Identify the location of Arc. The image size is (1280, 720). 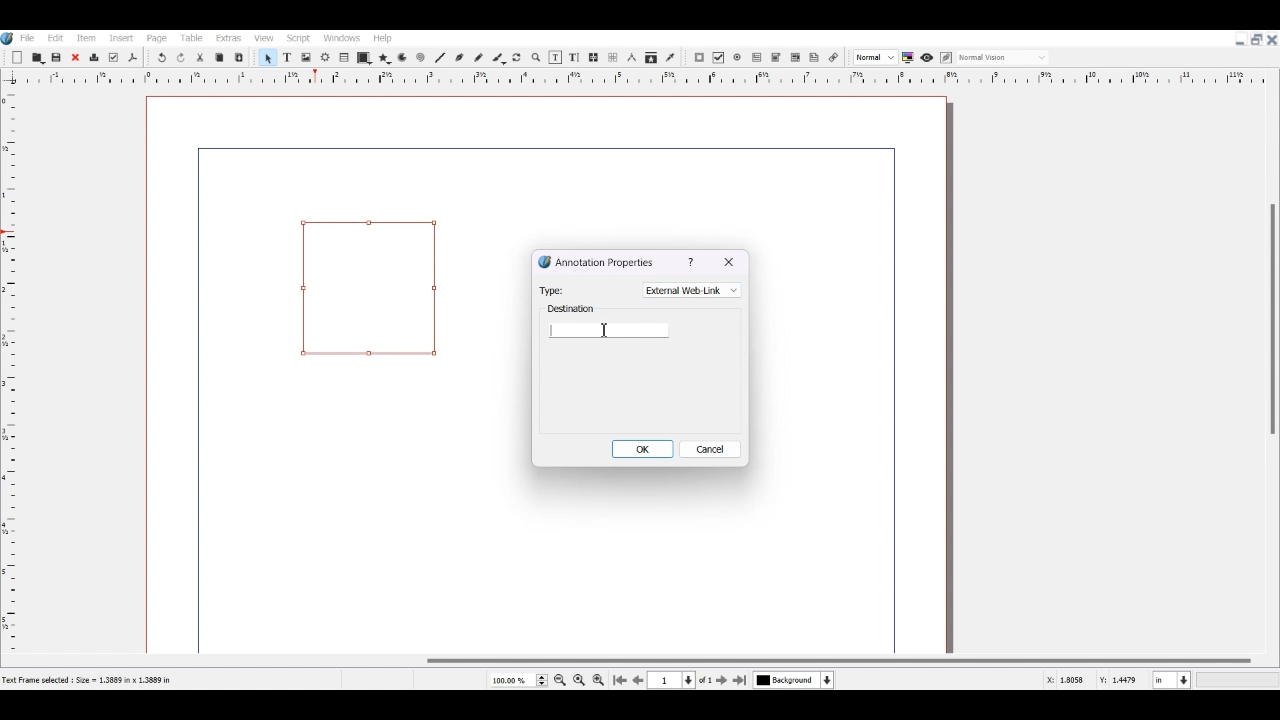
(402, 59).